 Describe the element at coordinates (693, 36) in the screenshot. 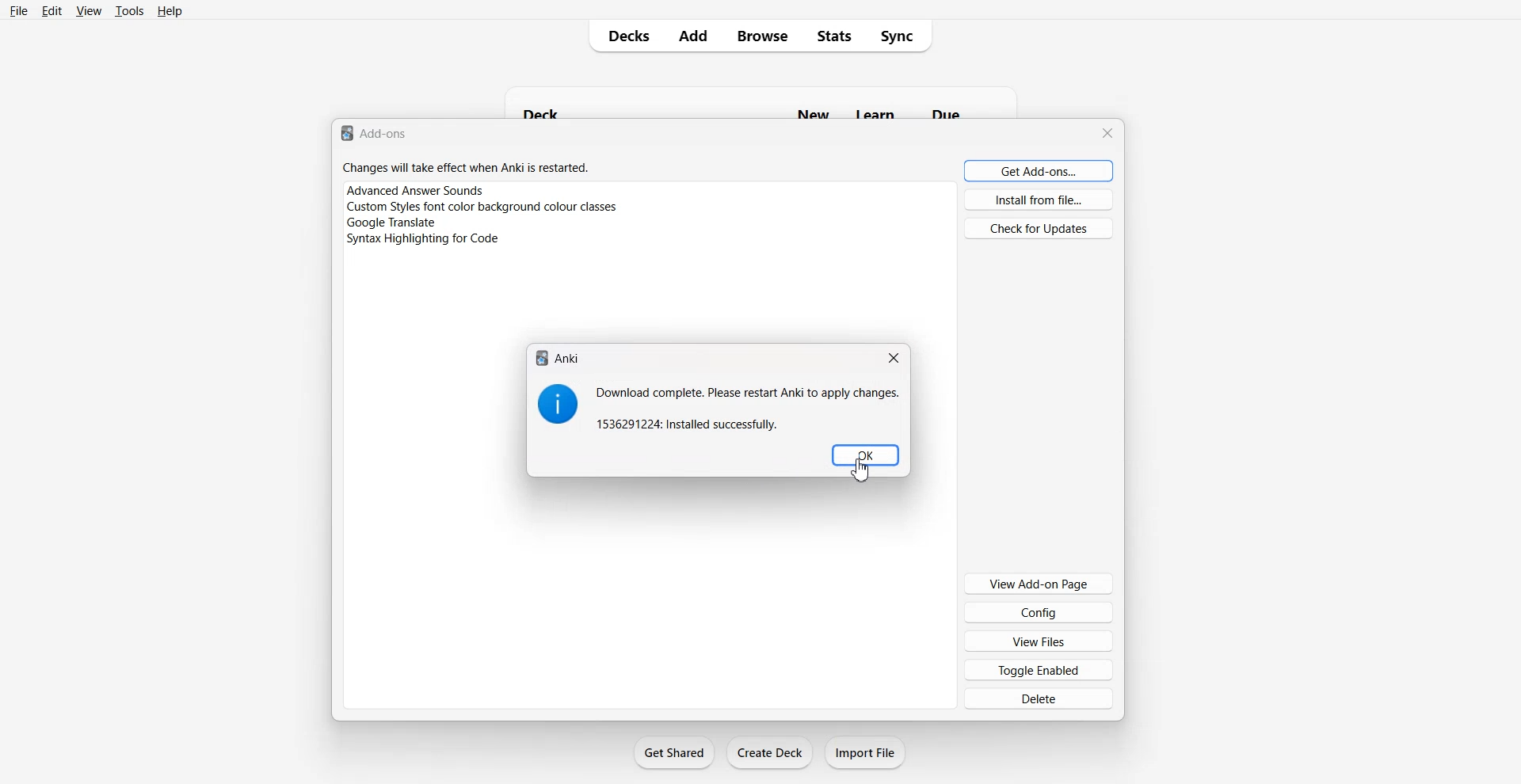

I see `Add` at that location.